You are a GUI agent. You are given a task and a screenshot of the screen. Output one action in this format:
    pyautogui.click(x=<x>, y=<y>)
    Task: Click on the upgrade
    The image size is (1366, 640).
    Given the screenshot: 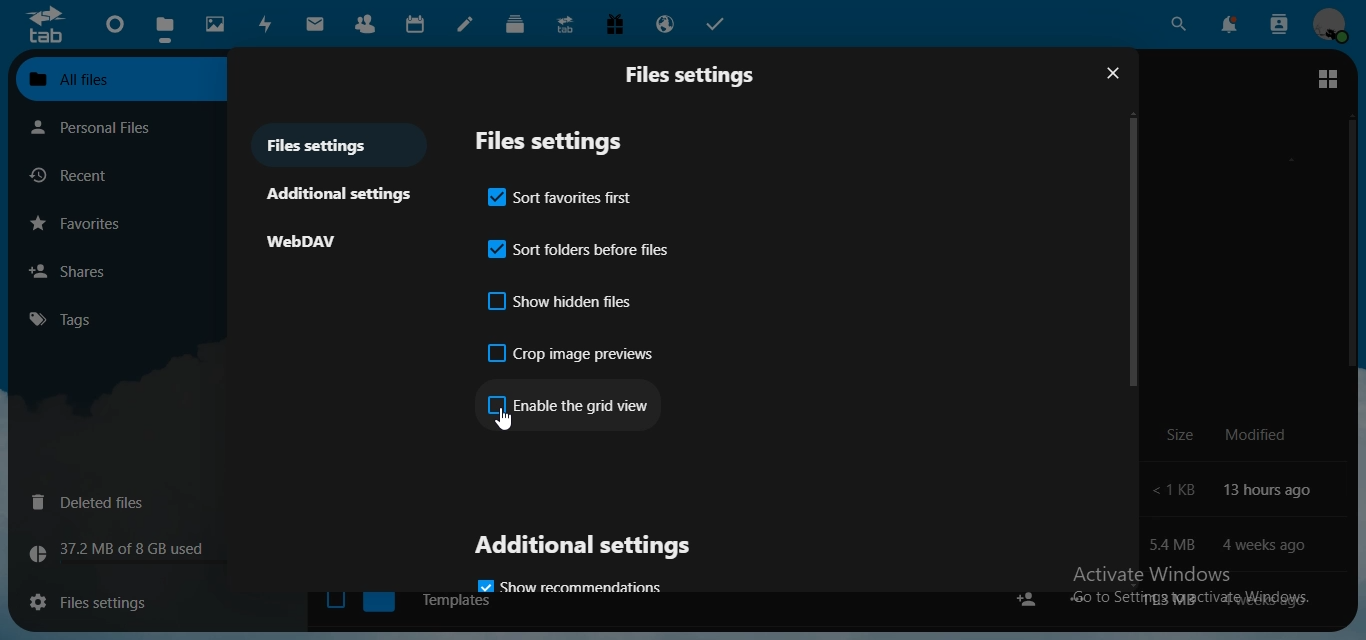 What is the action you would take?
    pyautogui.click(x=567, y=24)
    